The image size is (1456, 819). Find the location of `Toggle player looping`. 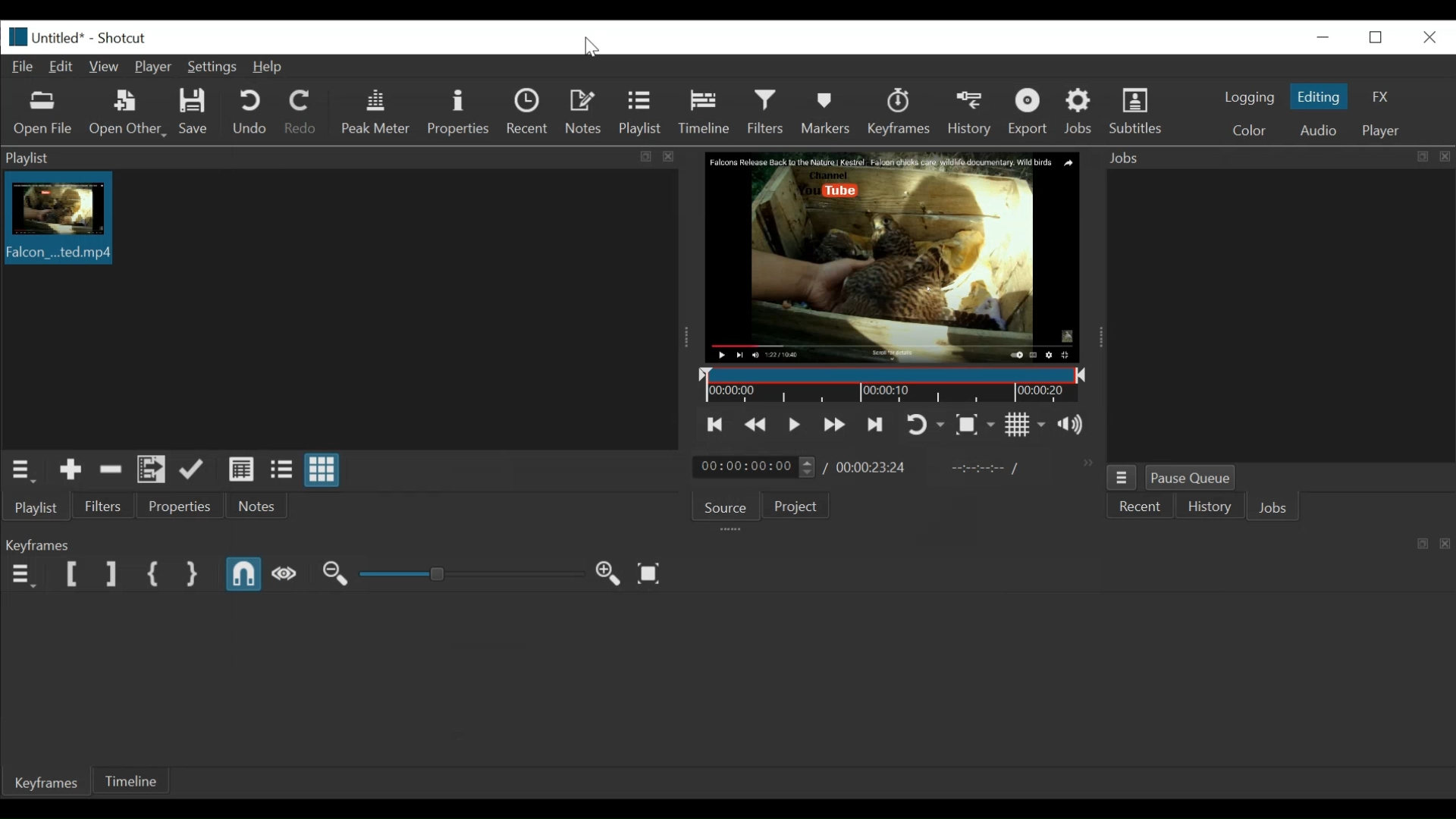

Toggle player looping is located at coordinates (879, 425).